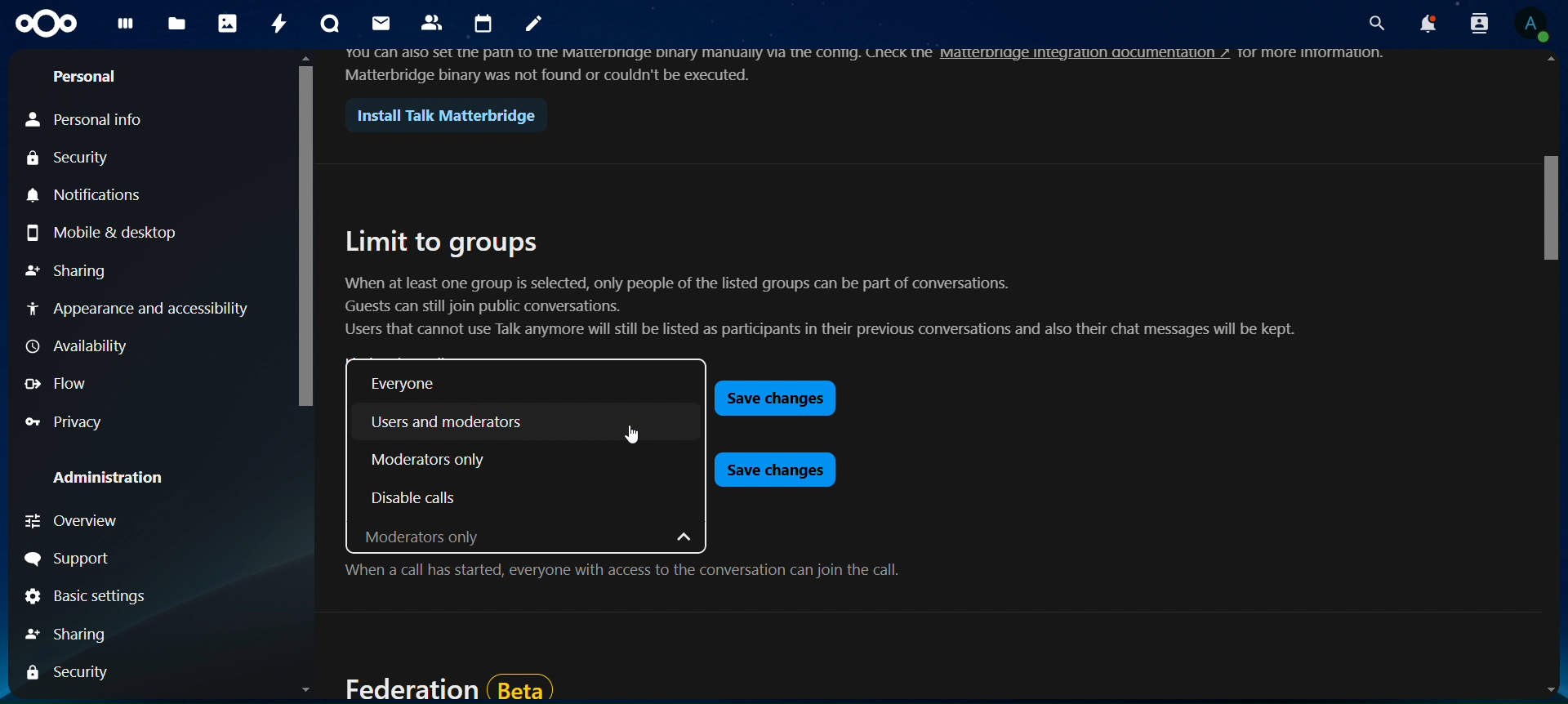 This screenshot has height=704, width=1568. What do you see at coordinates (419, 498) in the screenshot?
I see `disable calls` at bounding box center [419, 498].